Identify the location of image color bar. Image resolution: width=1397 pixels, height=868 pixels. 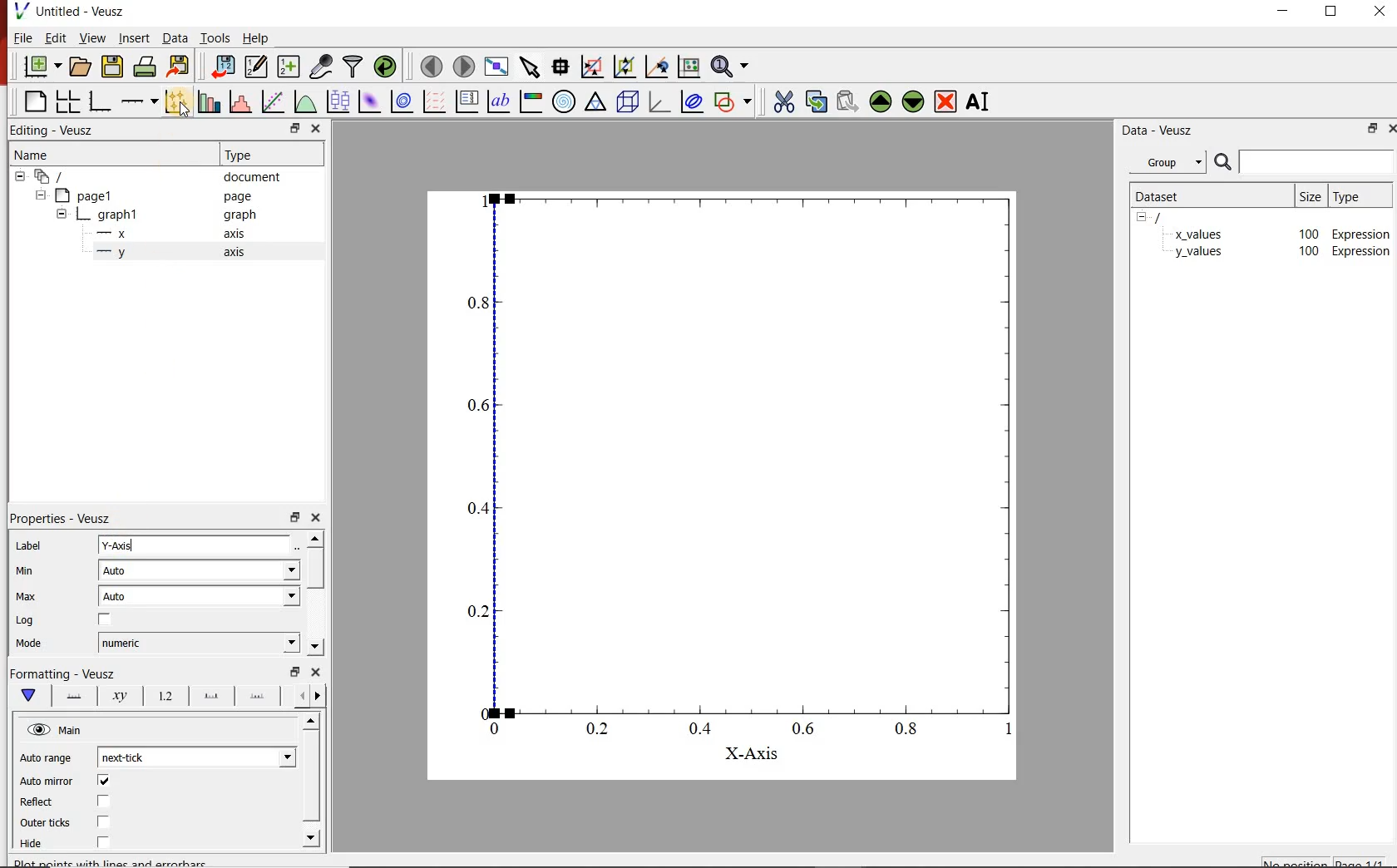
(531, 102).